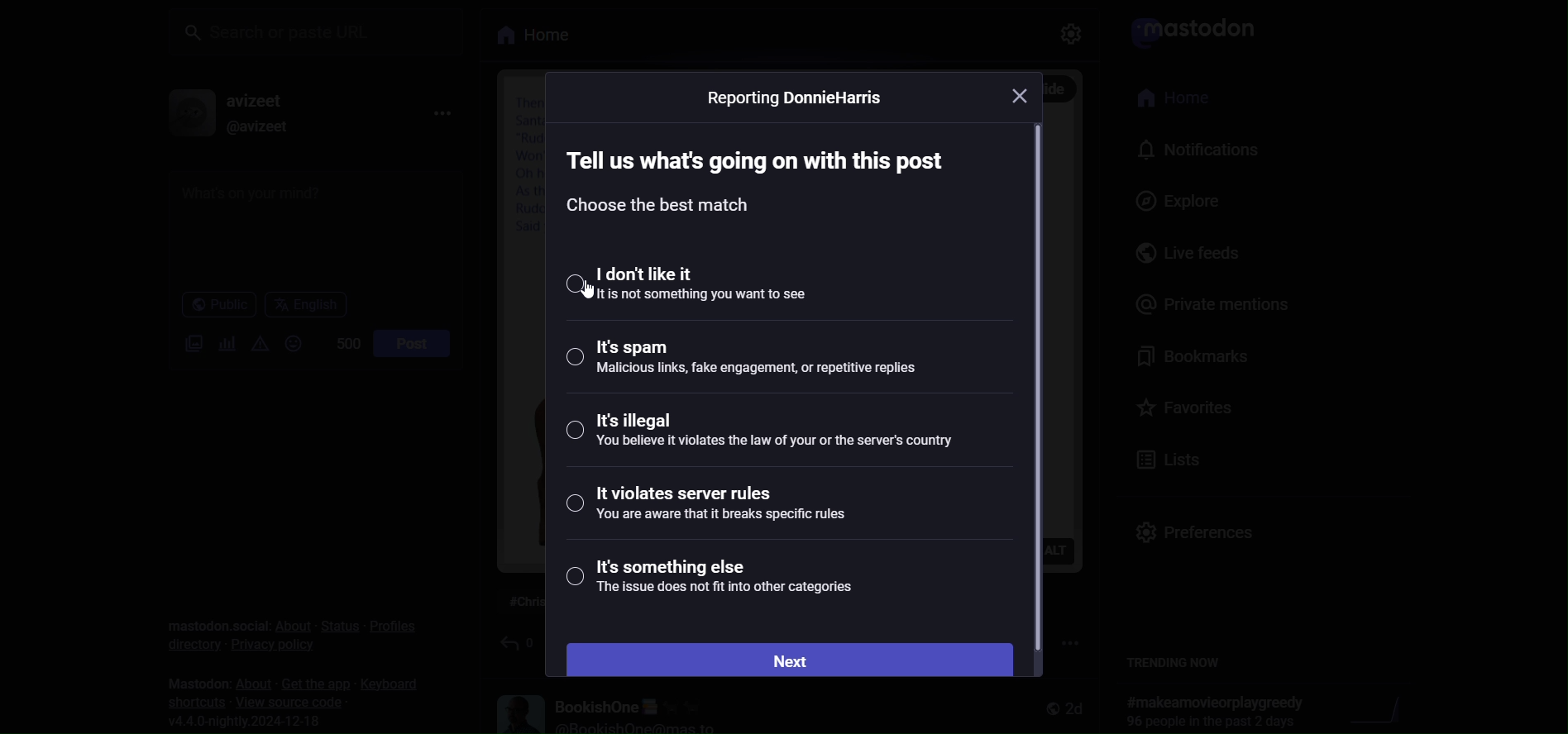  What do you see at coordinates (727, 283) in the screenshot?
I see `I don't like it
Cy Itis not something you want to see` at bounding box center [727, 283].